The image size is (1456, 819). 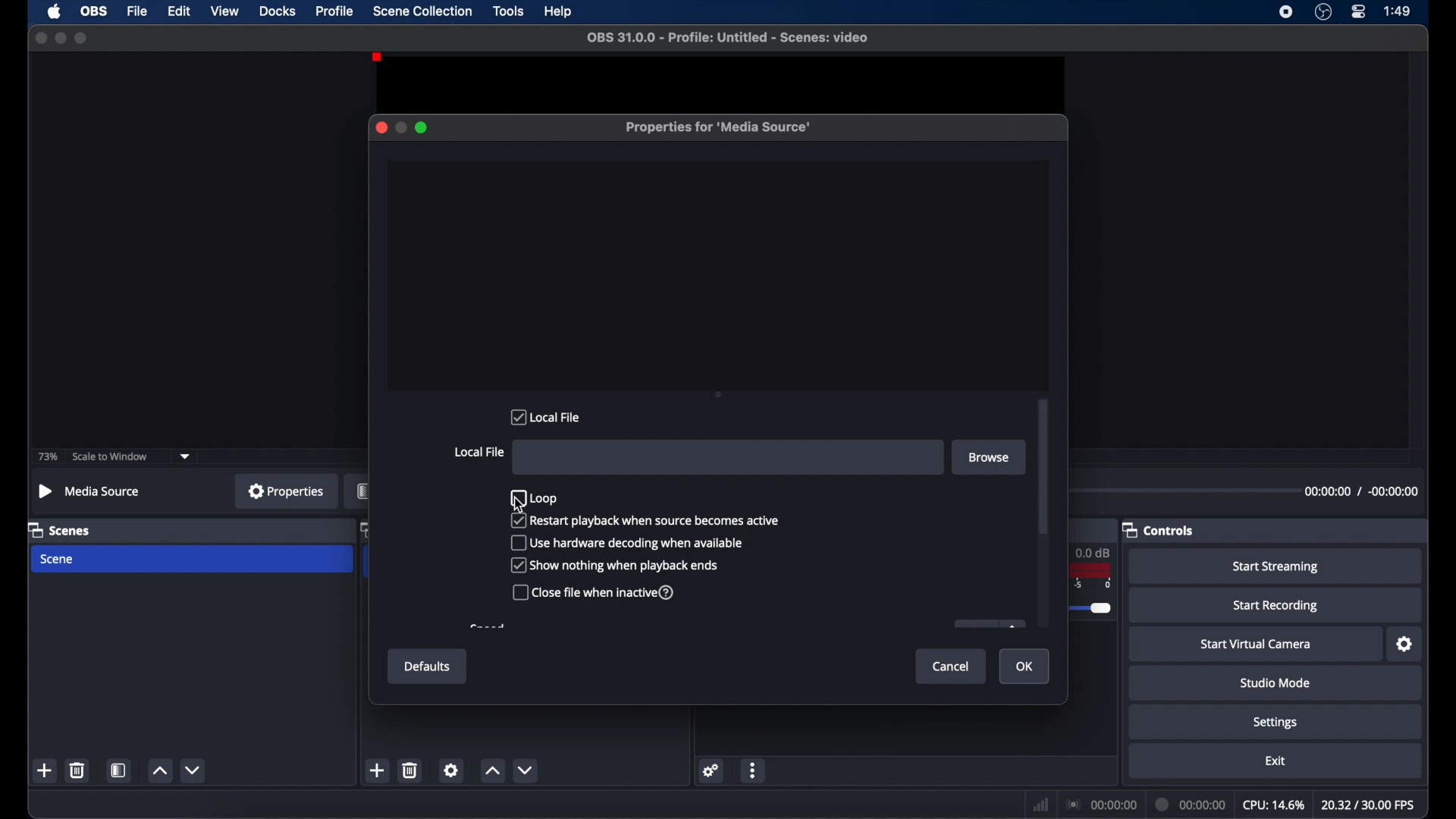 I want to click on decrement, so click(x=194, y=769).